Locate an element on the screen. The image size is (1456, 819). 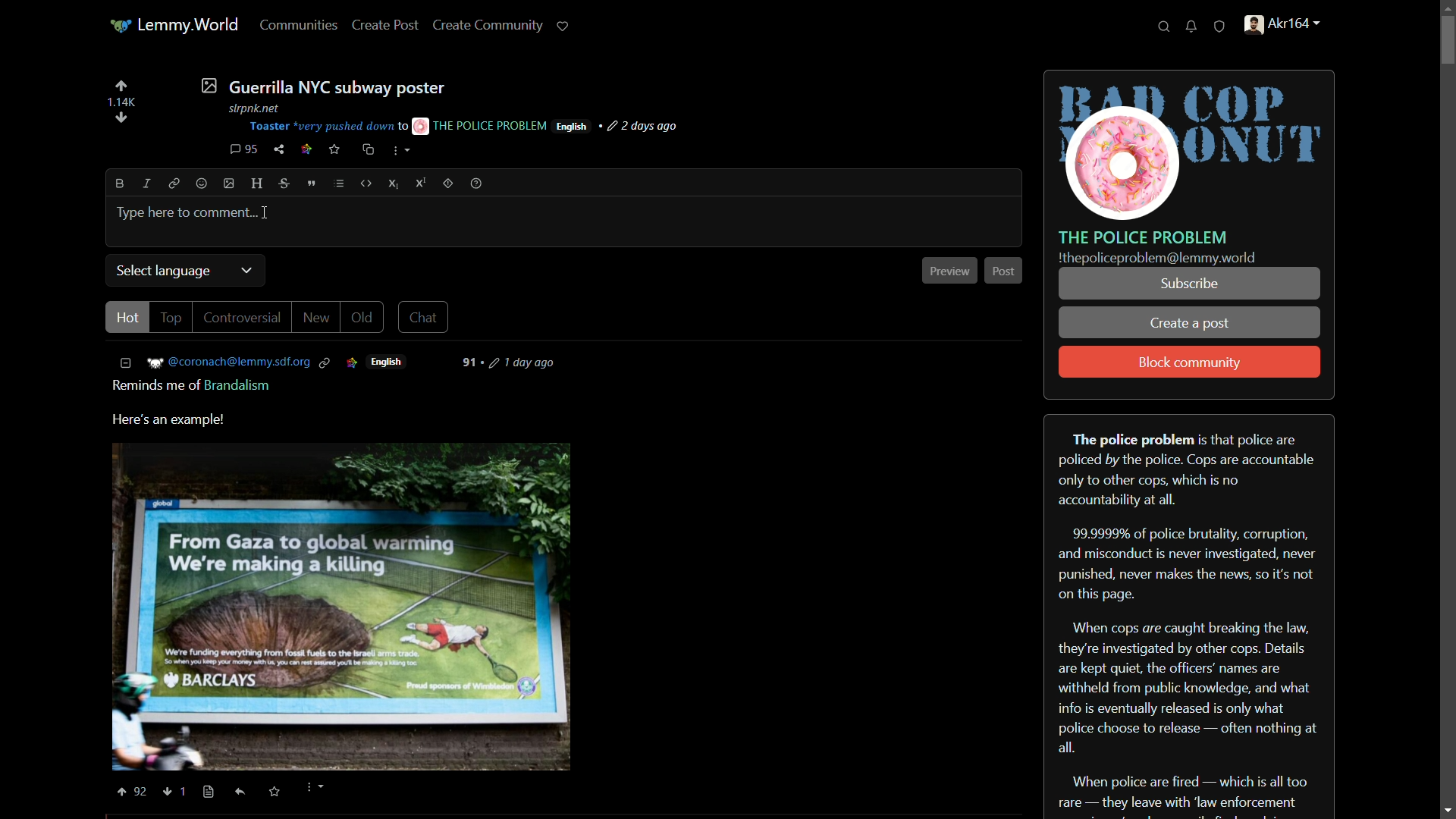
less information is located at coordinates (127, 362).